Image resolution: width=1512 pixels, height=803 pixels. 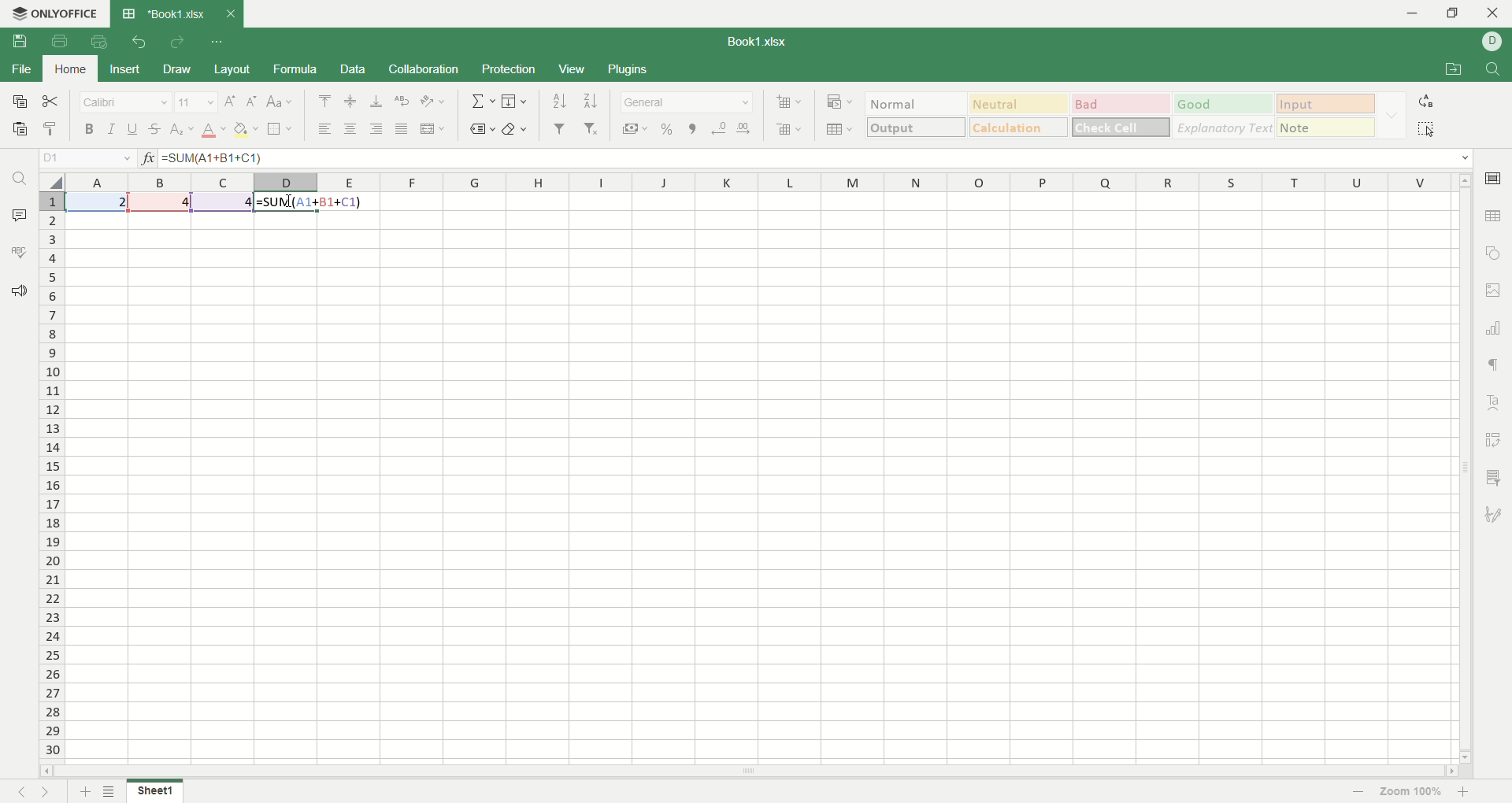 What do you see at coordinates (1390, 117) in the screenshot?
I see `options` at bounding box center [1390, 117].